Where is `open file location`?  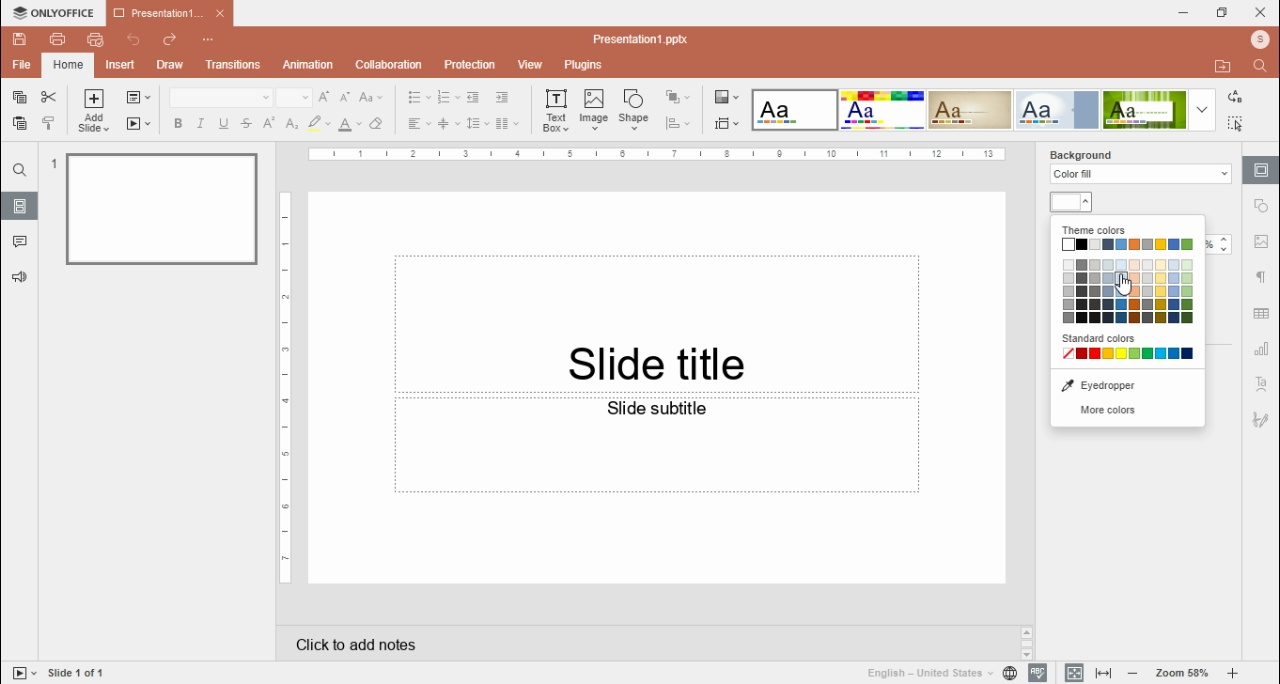
open file location is located at coordinates (1224, 68).